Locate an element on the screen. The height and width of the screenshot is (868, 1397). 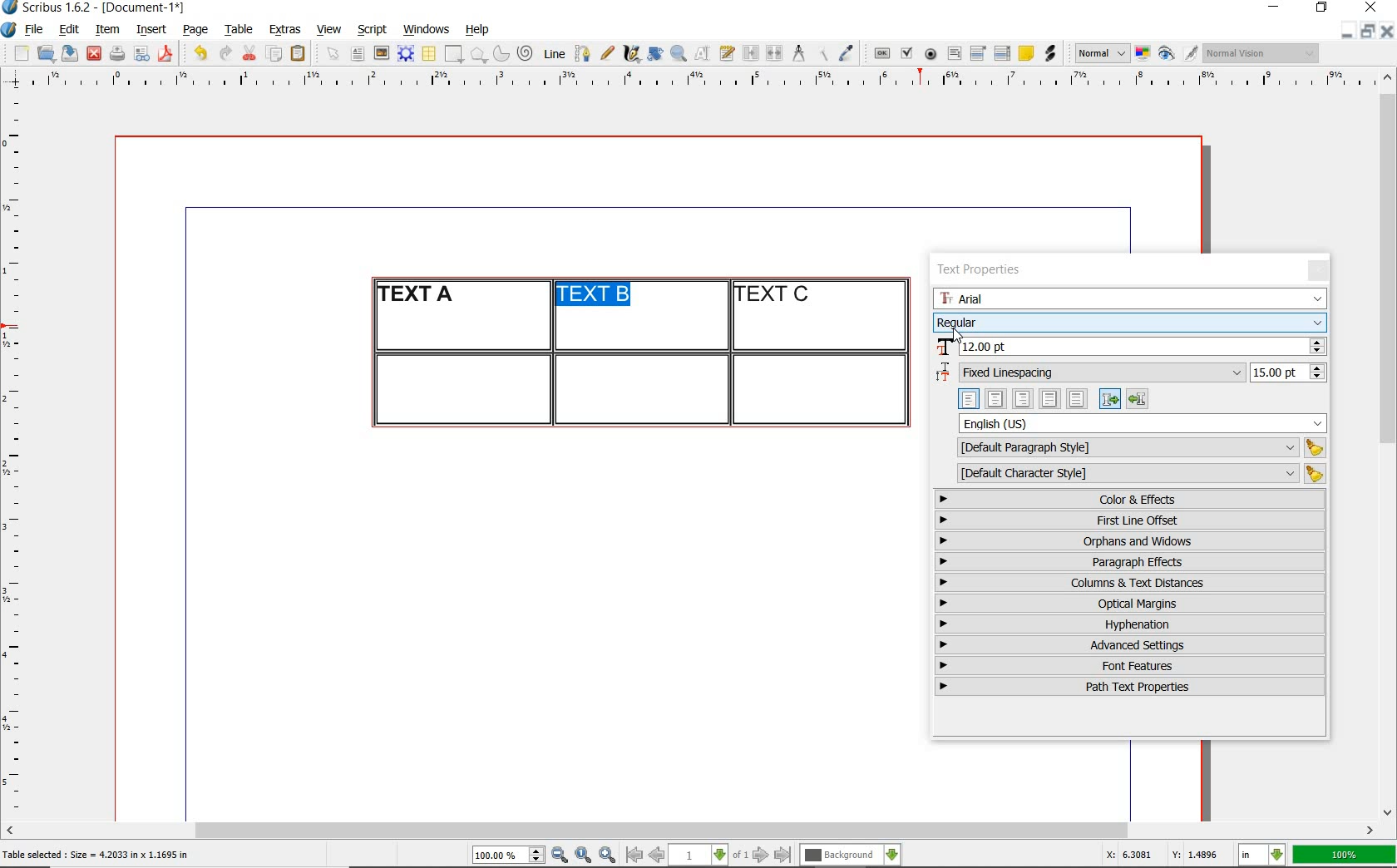
visual appearance of the display is located at coordinates (1262, 53).